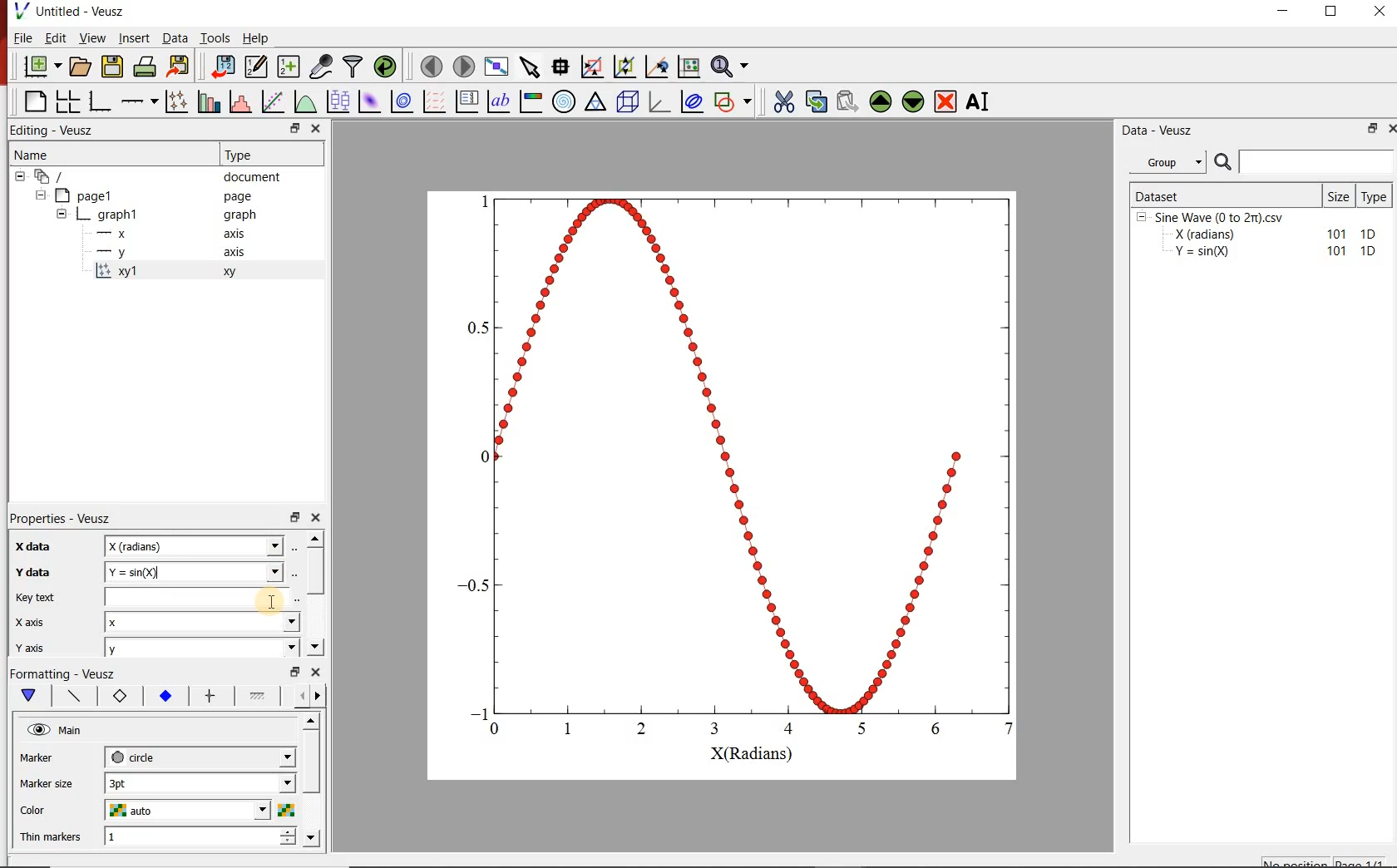 The height and width of the screenshot is (868, 1397). What do you see at coordinates (215, 37) in the screenshot?
I see `Tools` at bounding box center [215, 37].